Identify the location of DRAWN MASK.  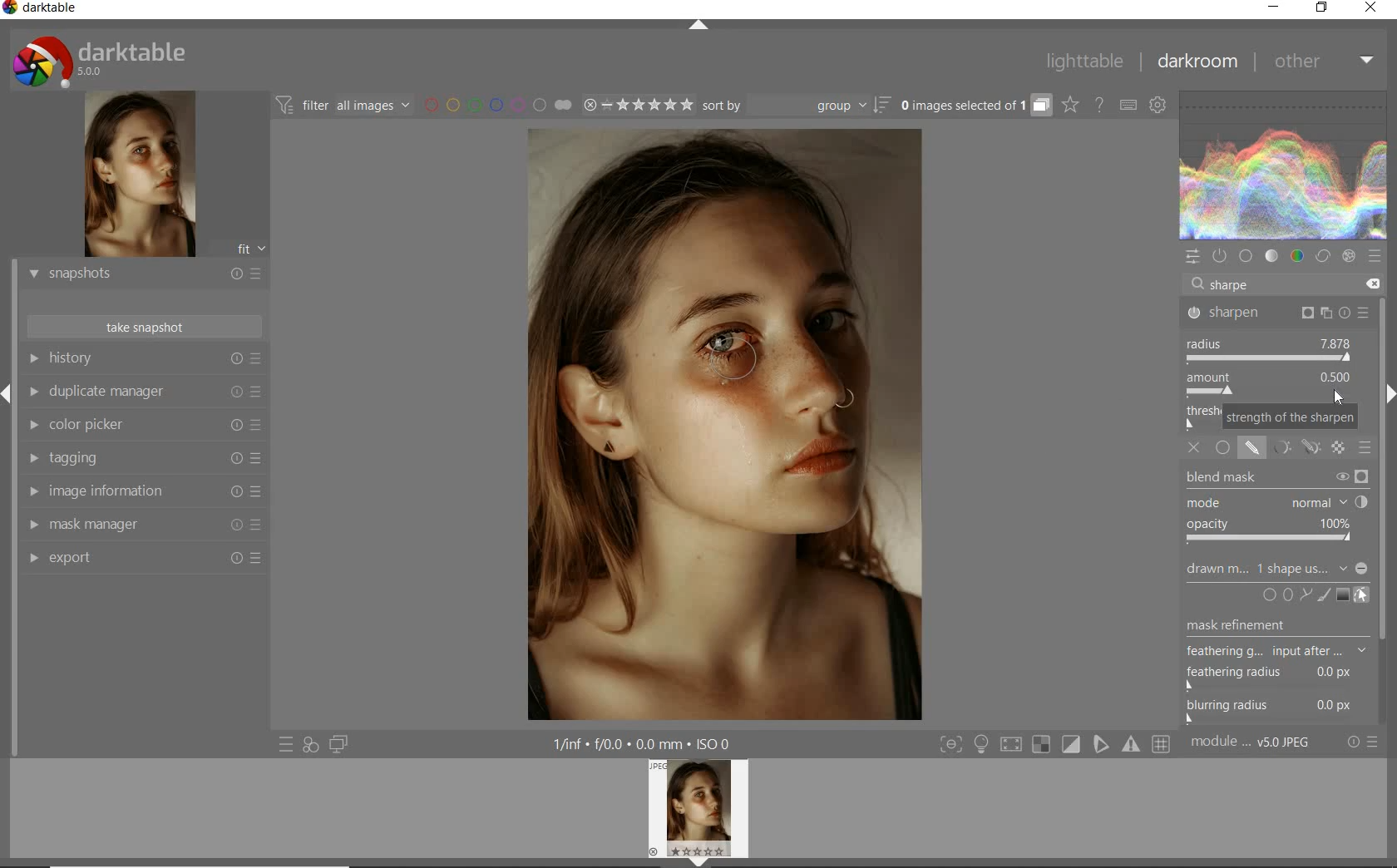
(1275, 569).